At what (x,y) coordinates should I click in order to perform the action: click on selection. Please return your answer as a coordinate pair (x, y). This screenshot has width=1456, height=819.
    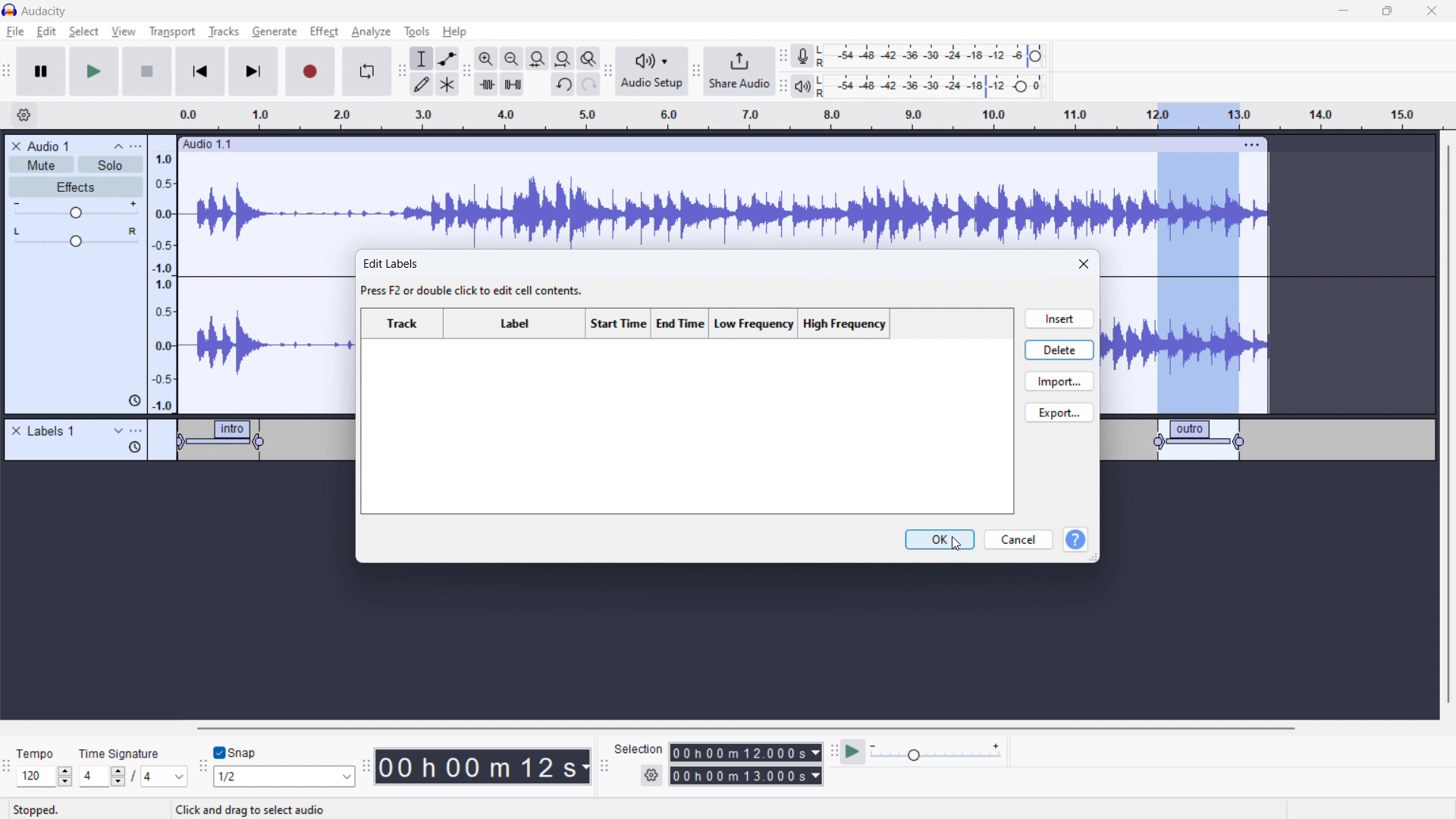
    Looking at the image, I should click on (639, 749).